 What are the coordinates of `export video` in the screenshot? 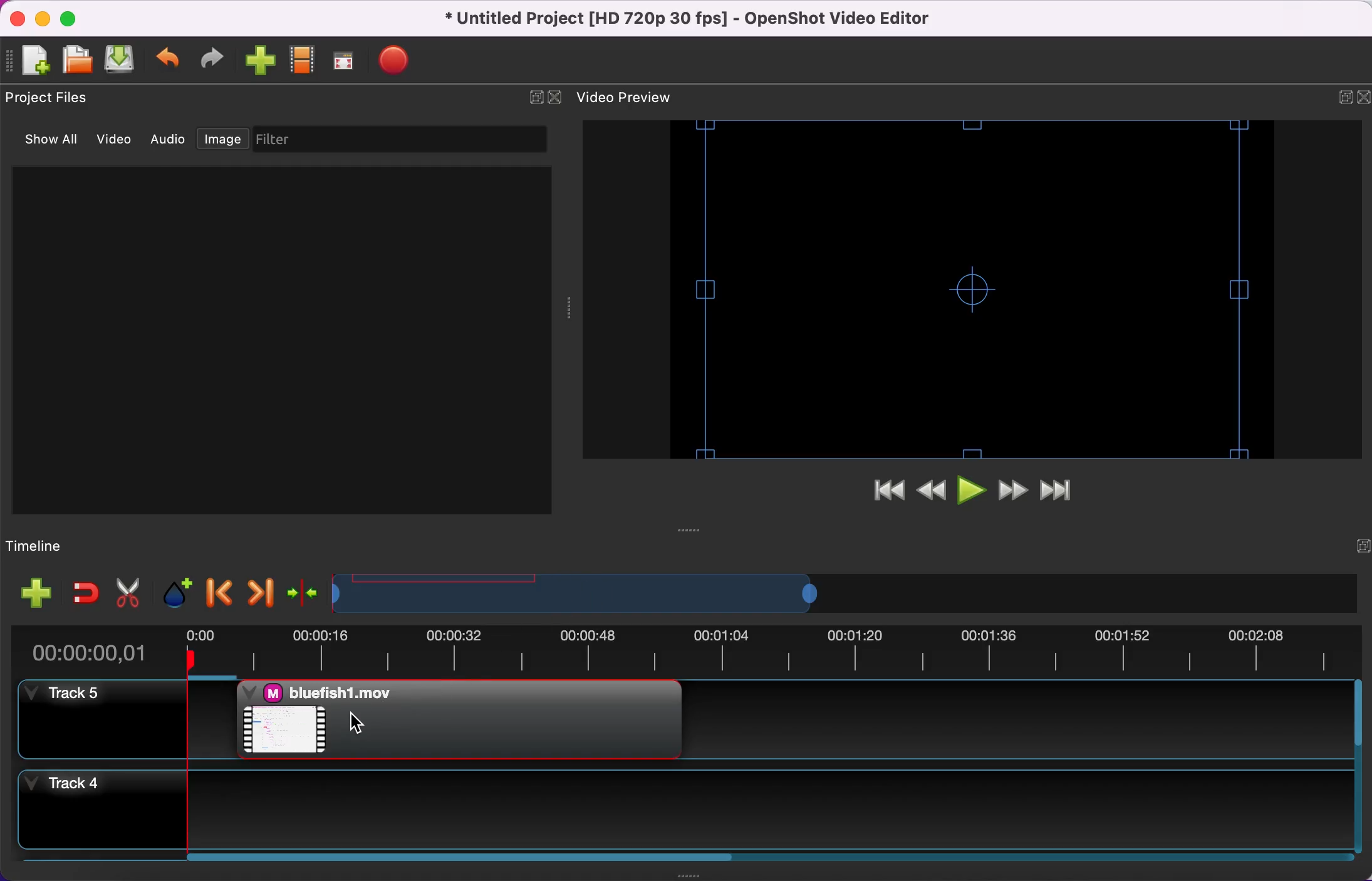 It's located at (400, 61).